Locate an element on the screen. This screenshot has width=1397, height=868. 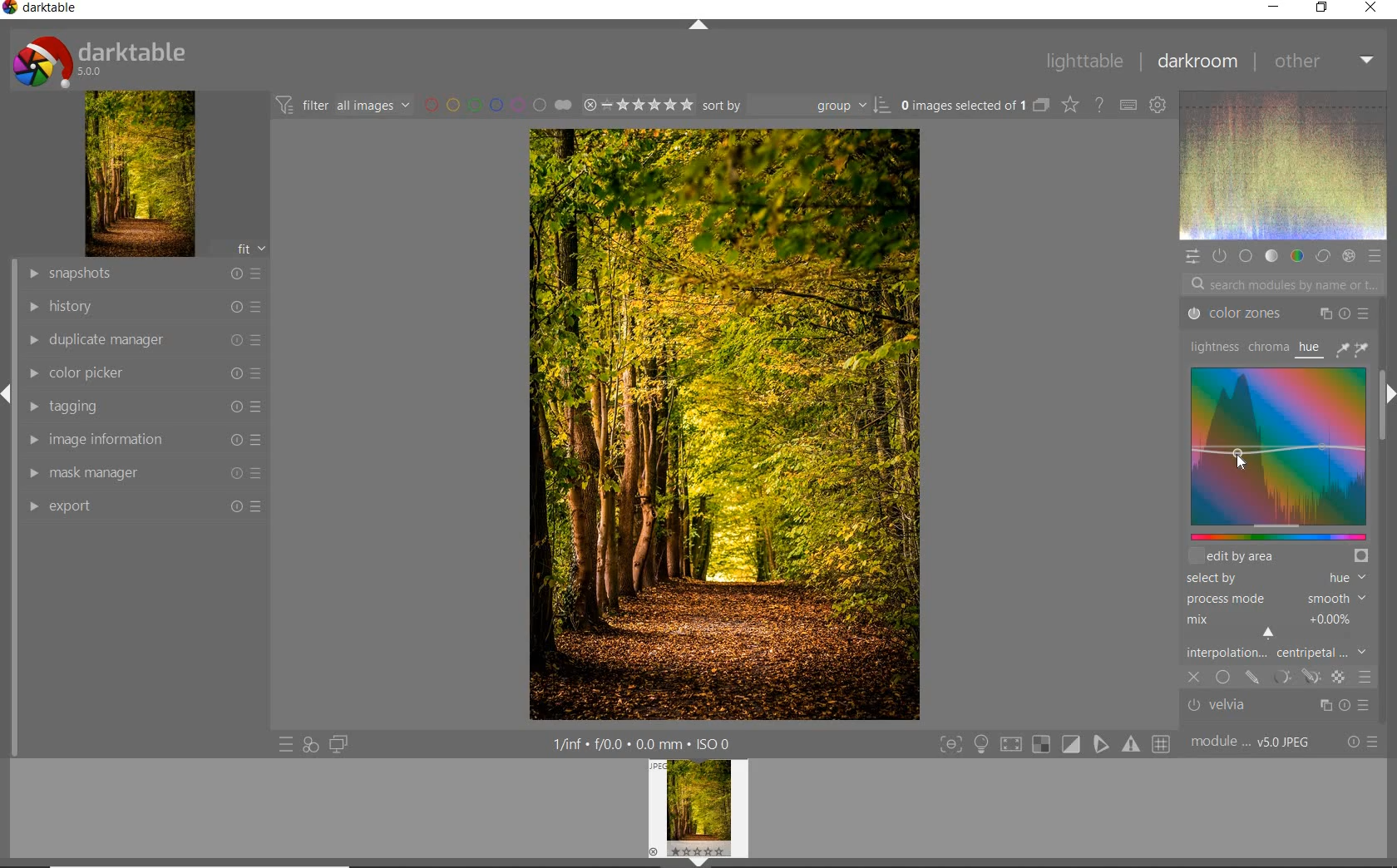
select by hue is located at coordinates (1274, 577).